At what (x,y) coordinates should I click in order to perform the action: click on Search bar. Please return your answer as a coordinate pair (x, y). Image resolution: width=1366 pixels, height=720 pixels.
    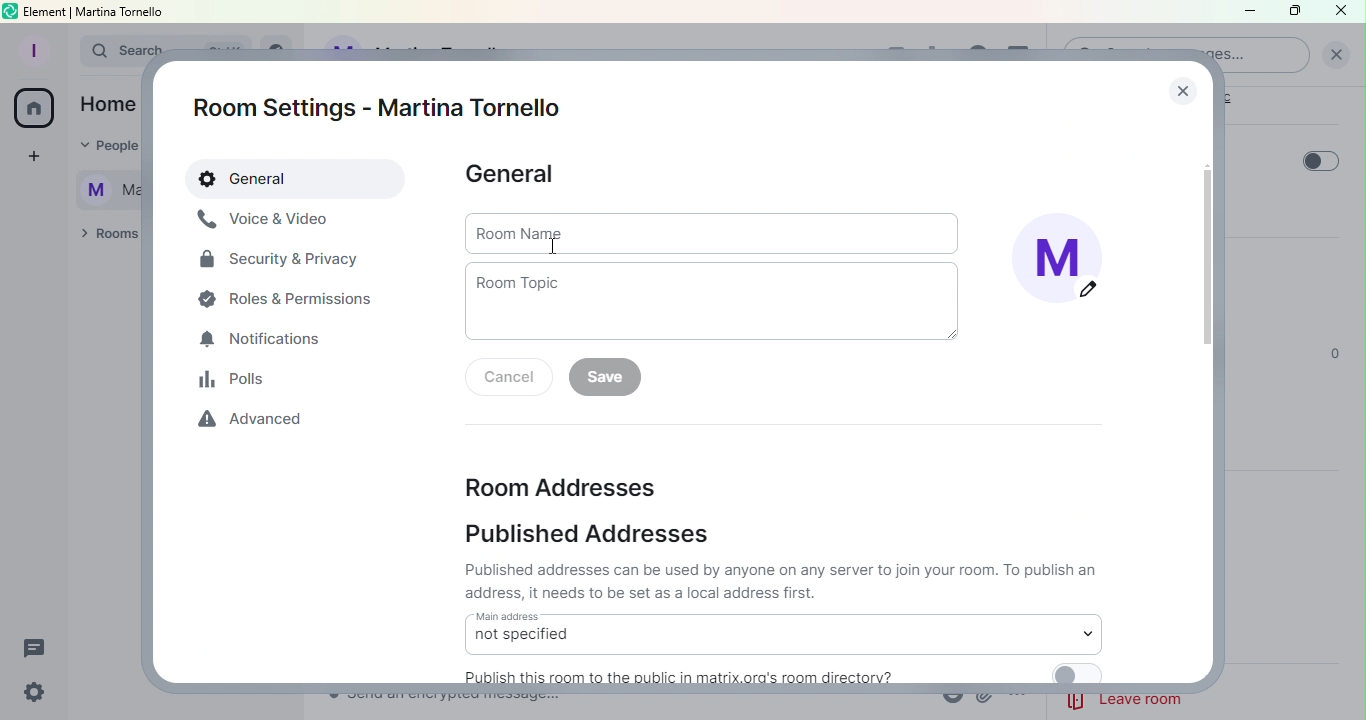
    Looking at the image, I should click on (106, 51).